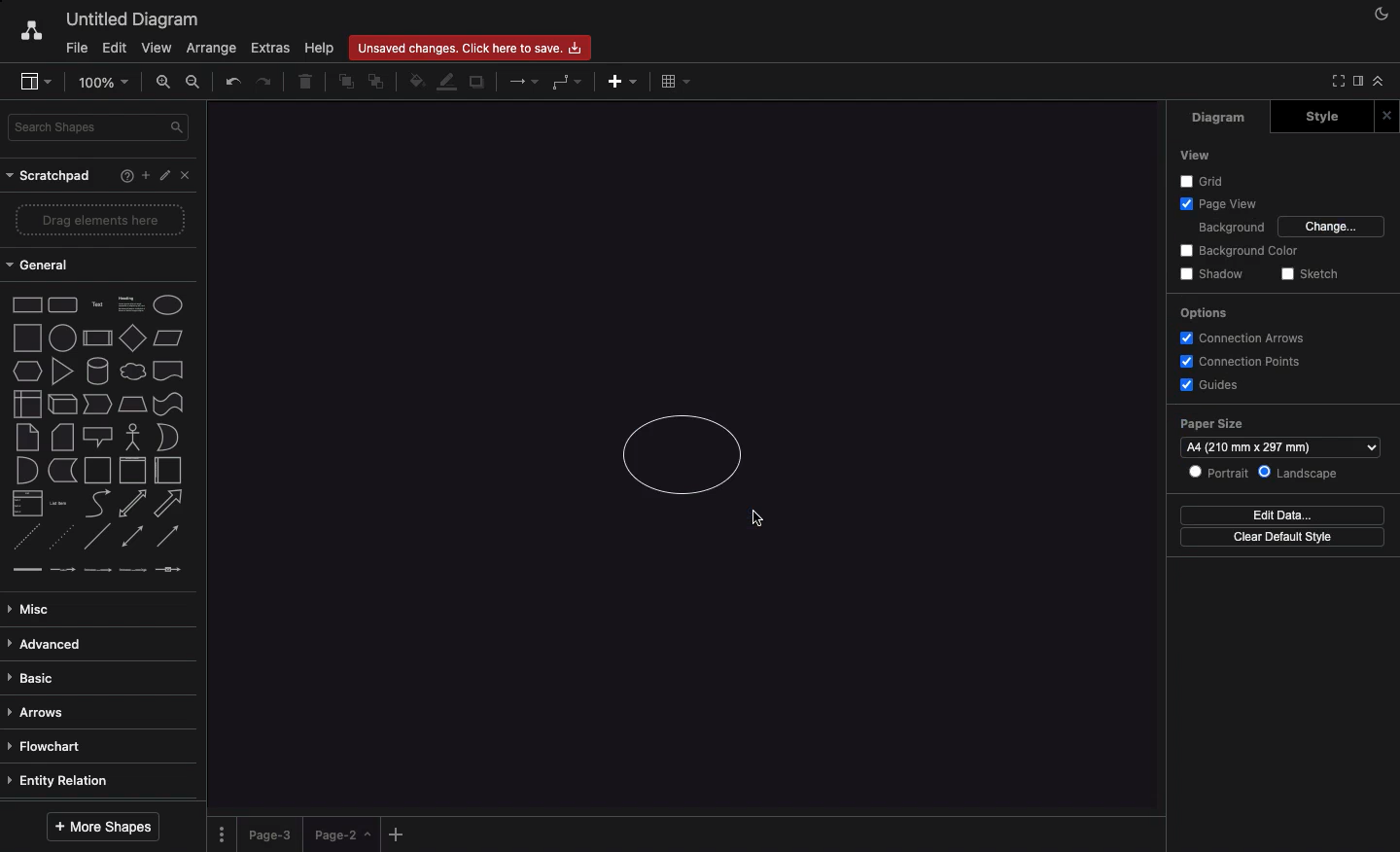 The image size is (1400, 852). I want to click on Connection points, so click(1242, 362).